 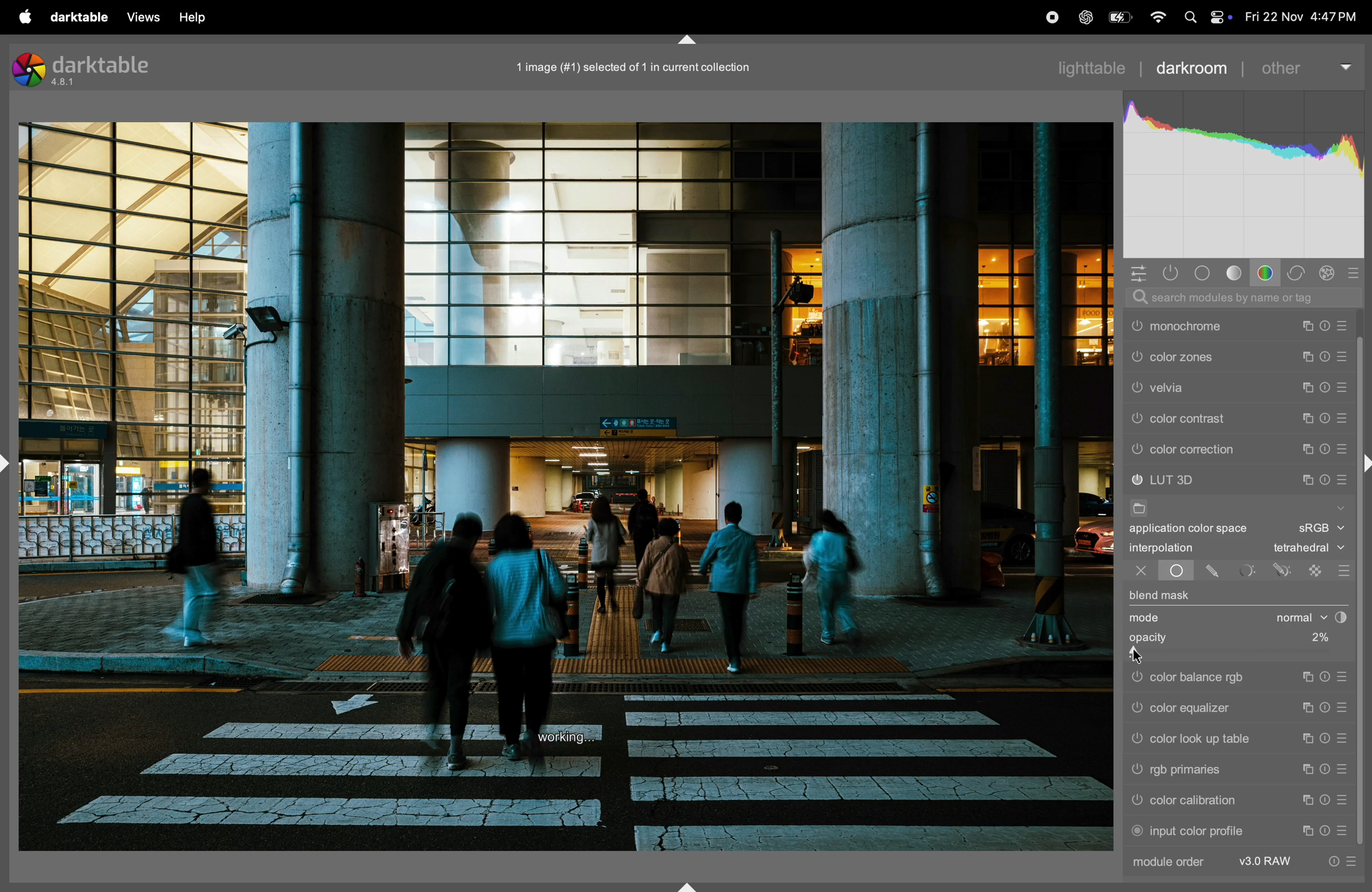 What do you see at coordinates (1341, 828) in the screenshot?
I see `presets` at bounding box center [1341, 828].